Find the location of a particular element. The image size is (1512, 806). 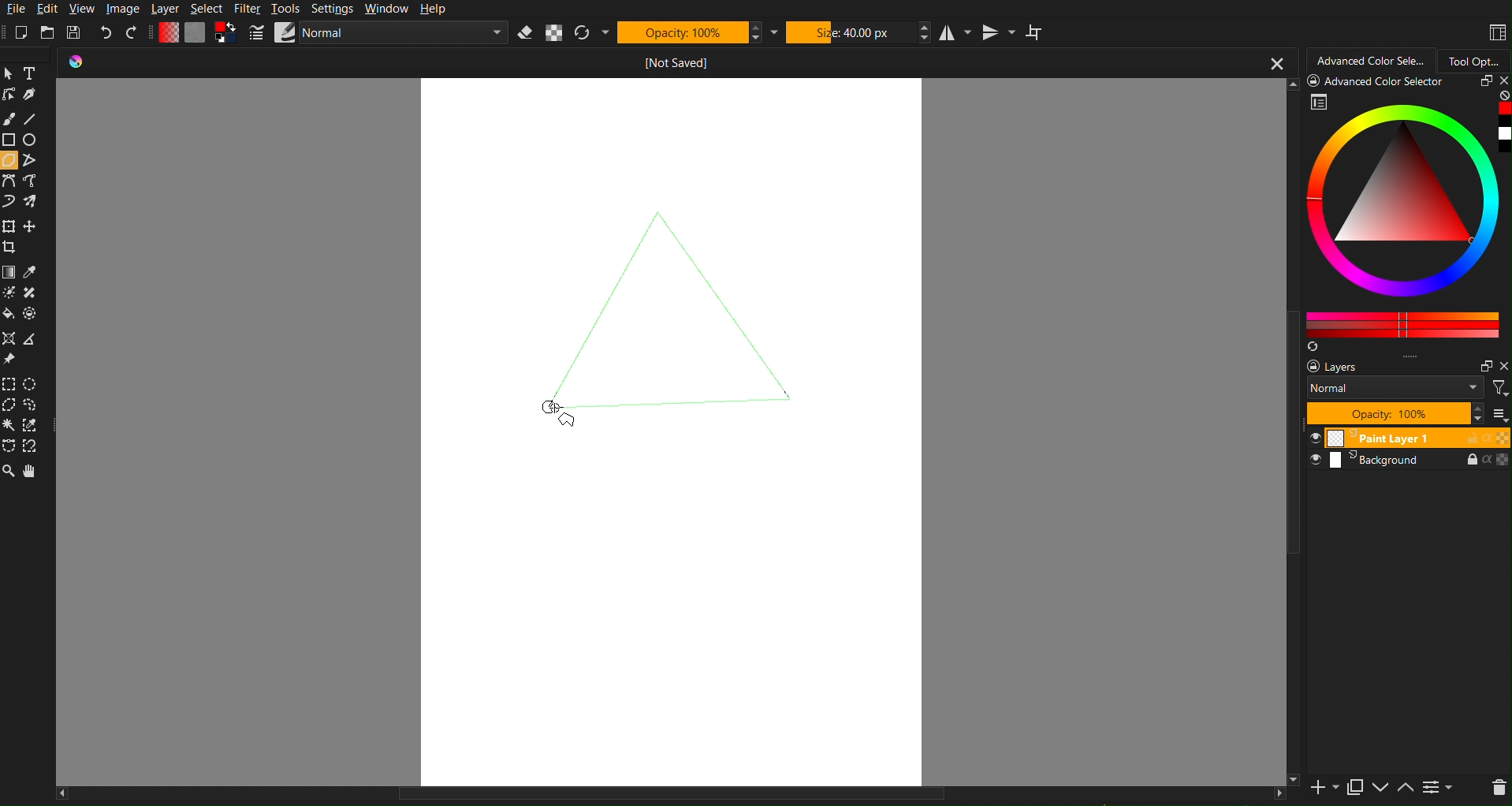

Horizontal Mirror is located at coordinates (955, 32).